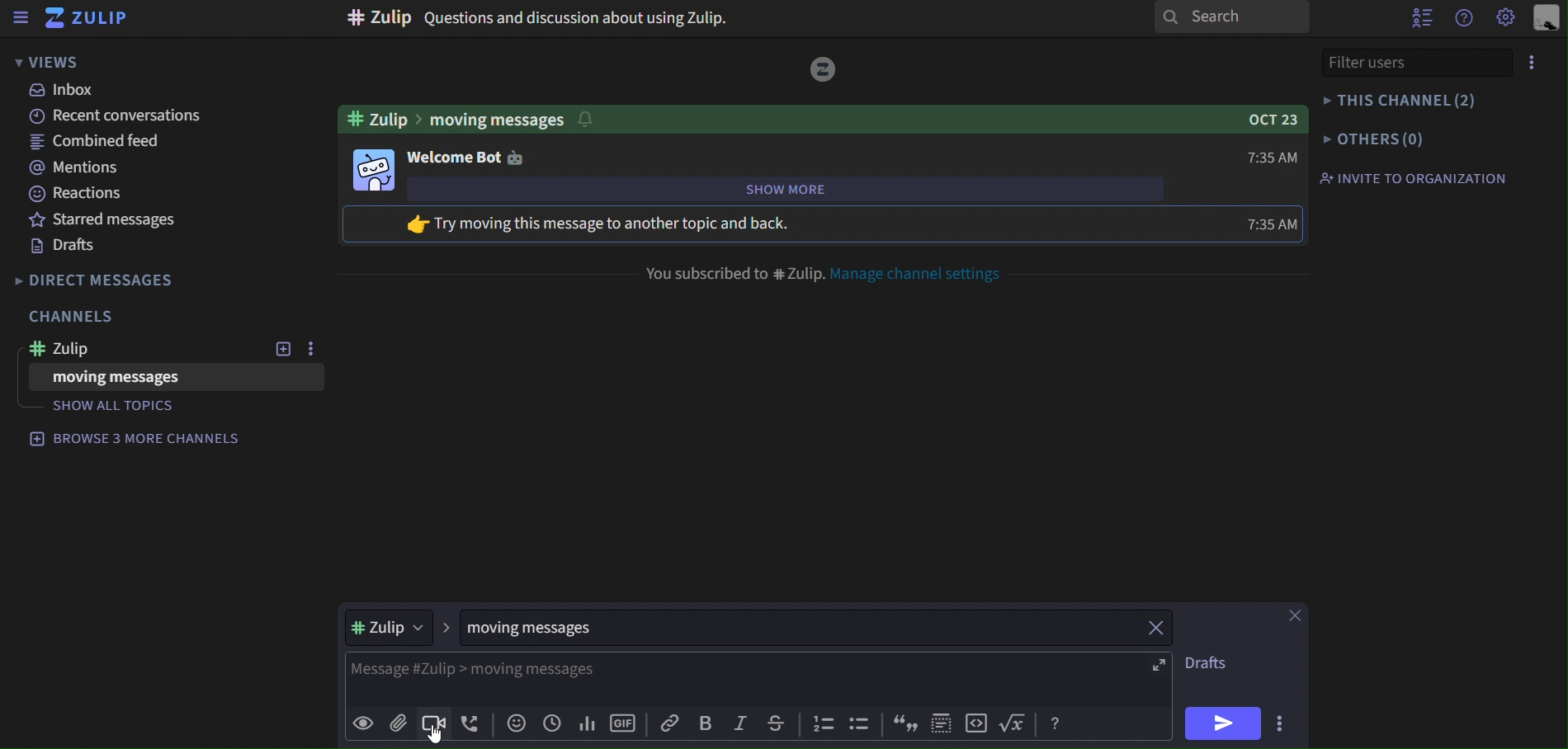  I want to click on icon, so click(976, 723).